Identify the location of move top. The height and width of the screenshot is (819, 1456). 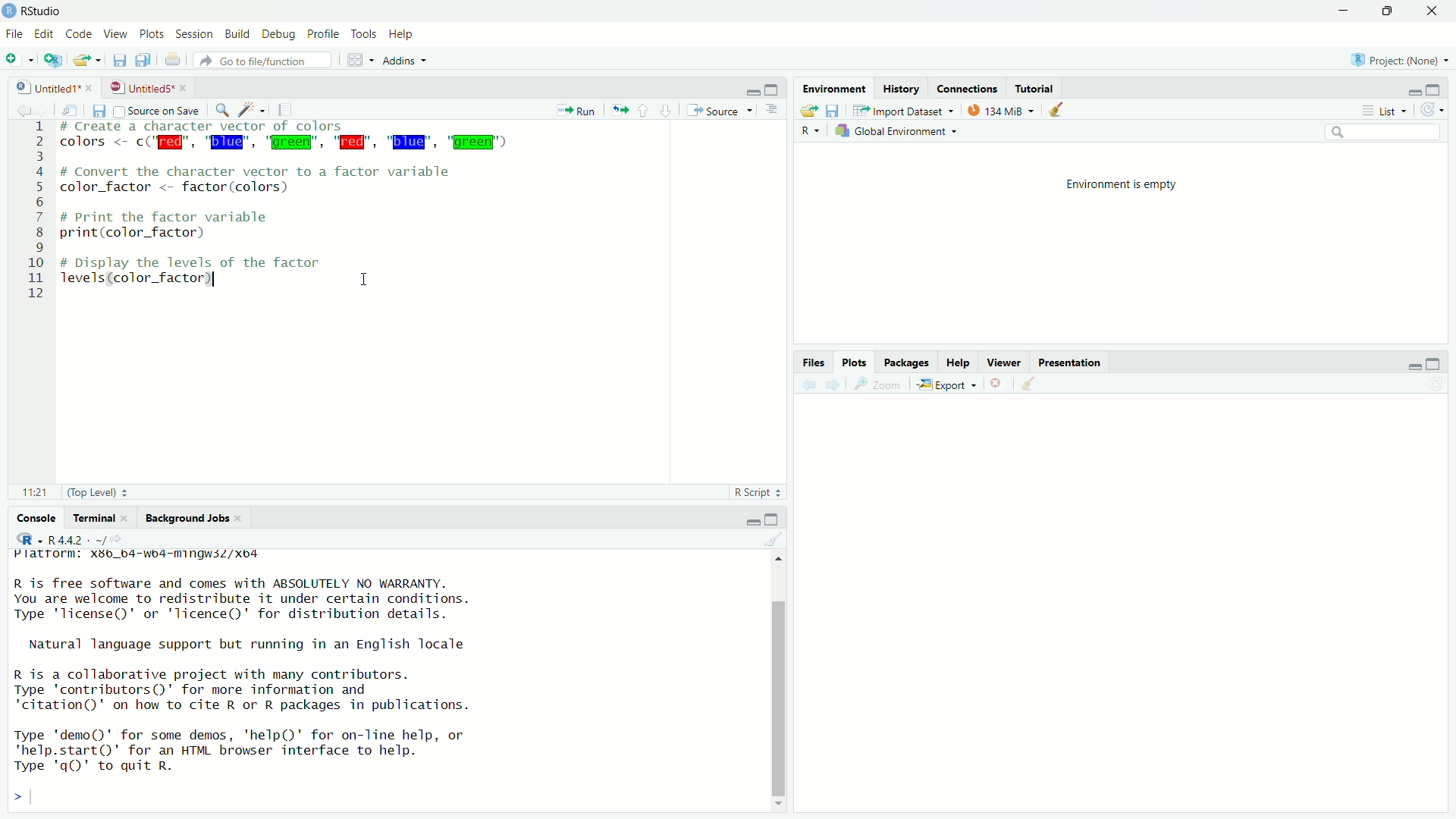
(778, 560).